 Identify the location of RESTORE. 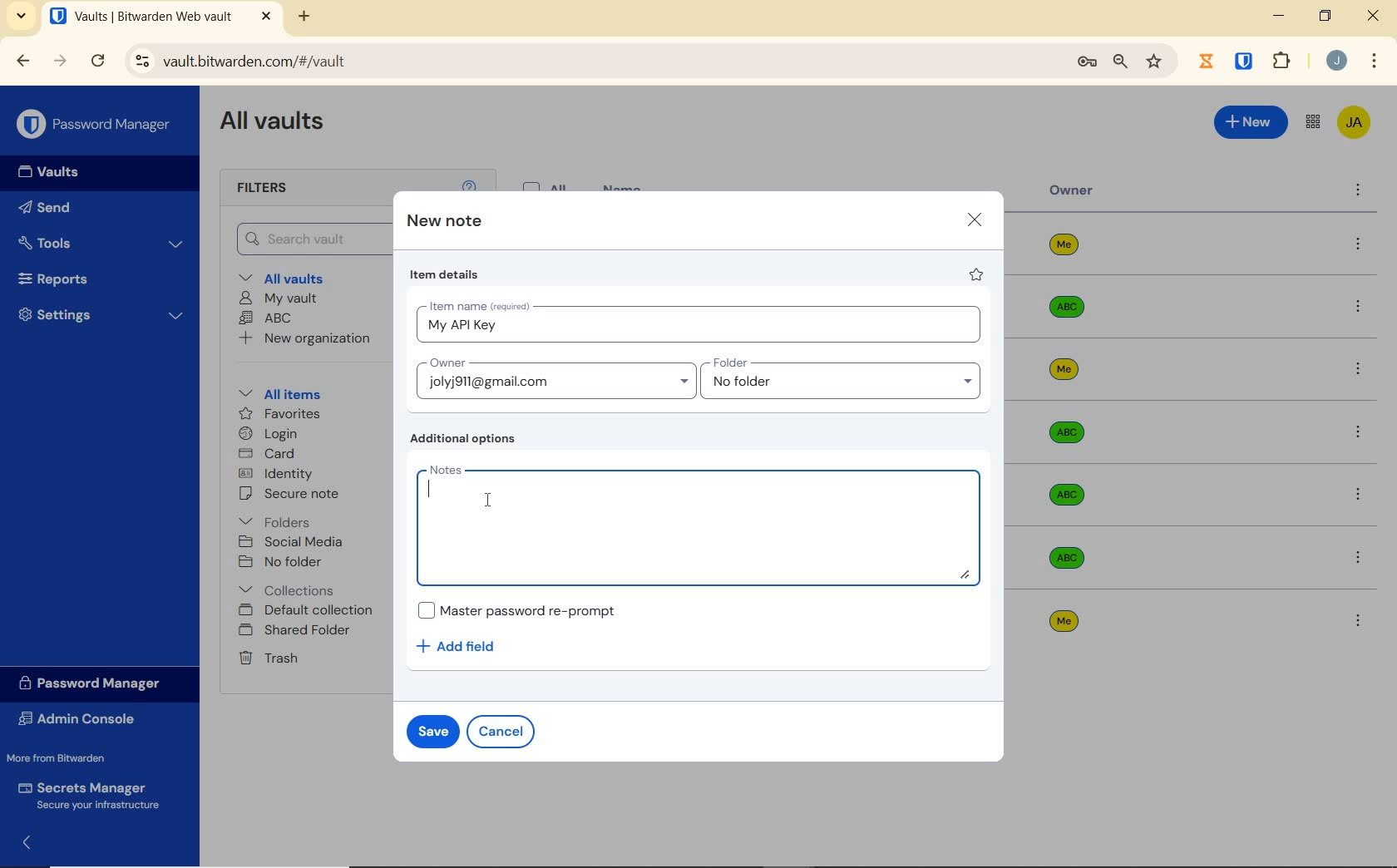
(1325, 18).